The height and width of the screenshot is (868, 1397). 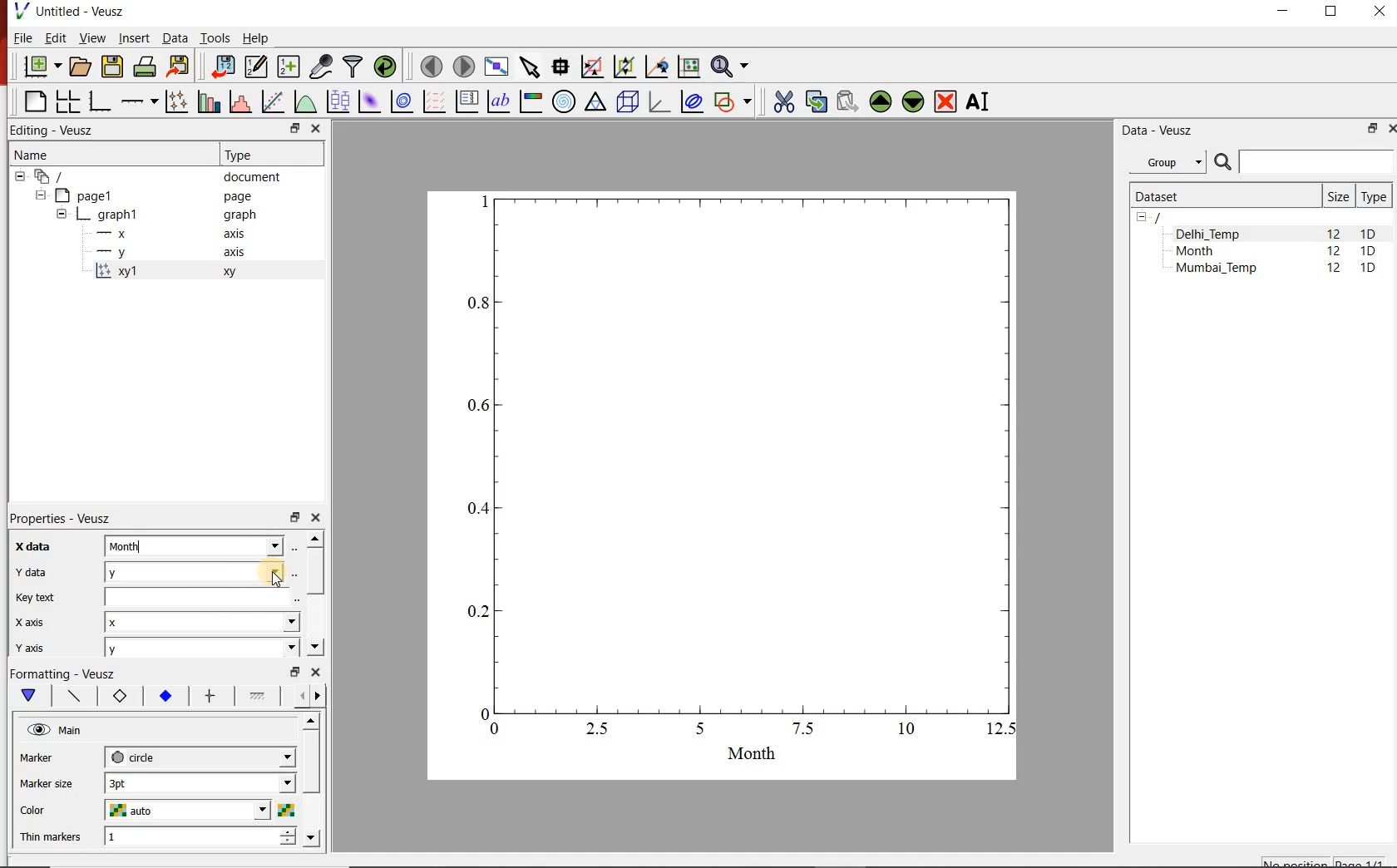 What do you see at coordinates (206, 102) in the screenshot?
I see `plot bar charts` at bounding box center [206, 102].